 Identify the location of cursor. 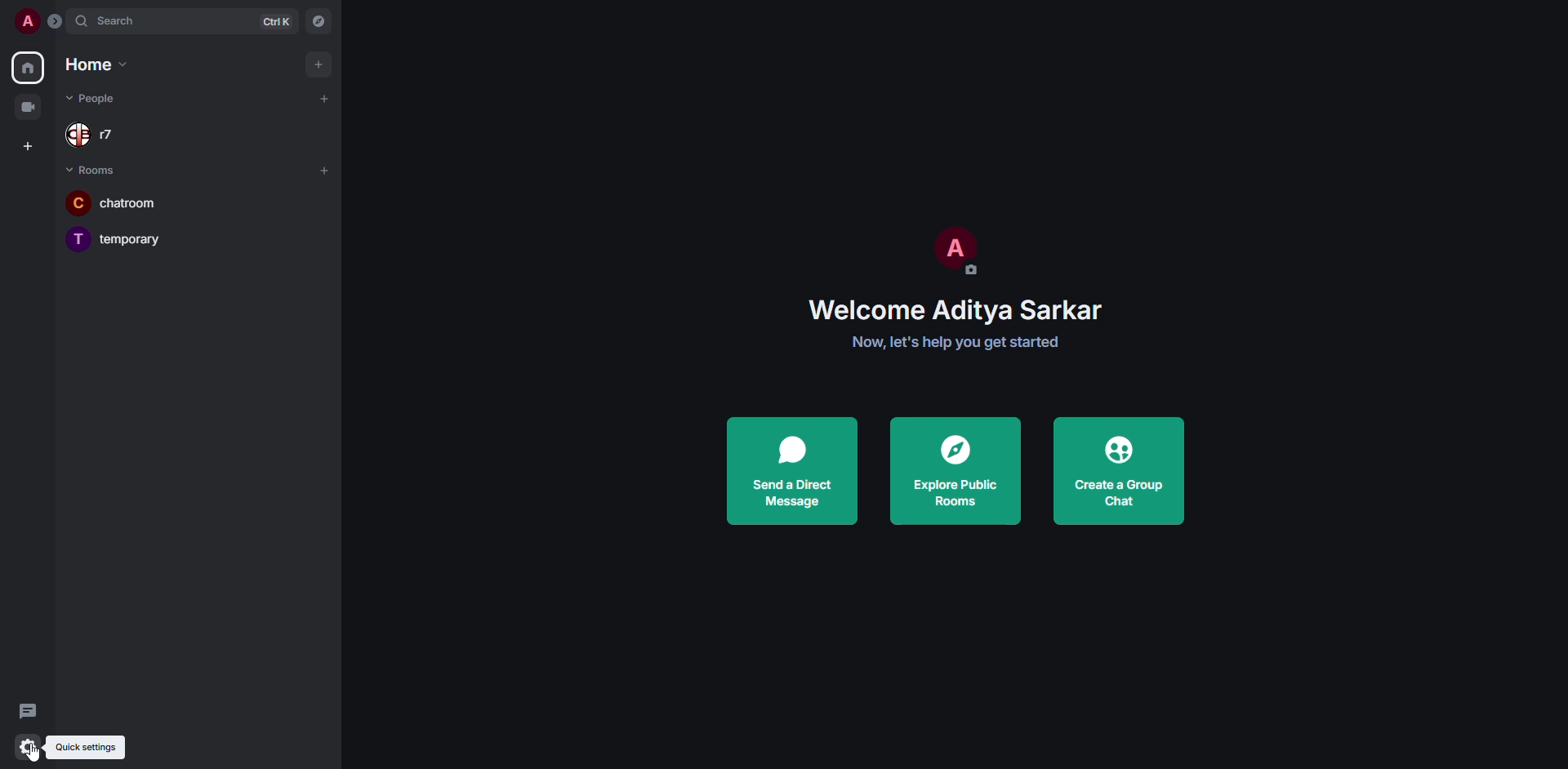
(35, 755).